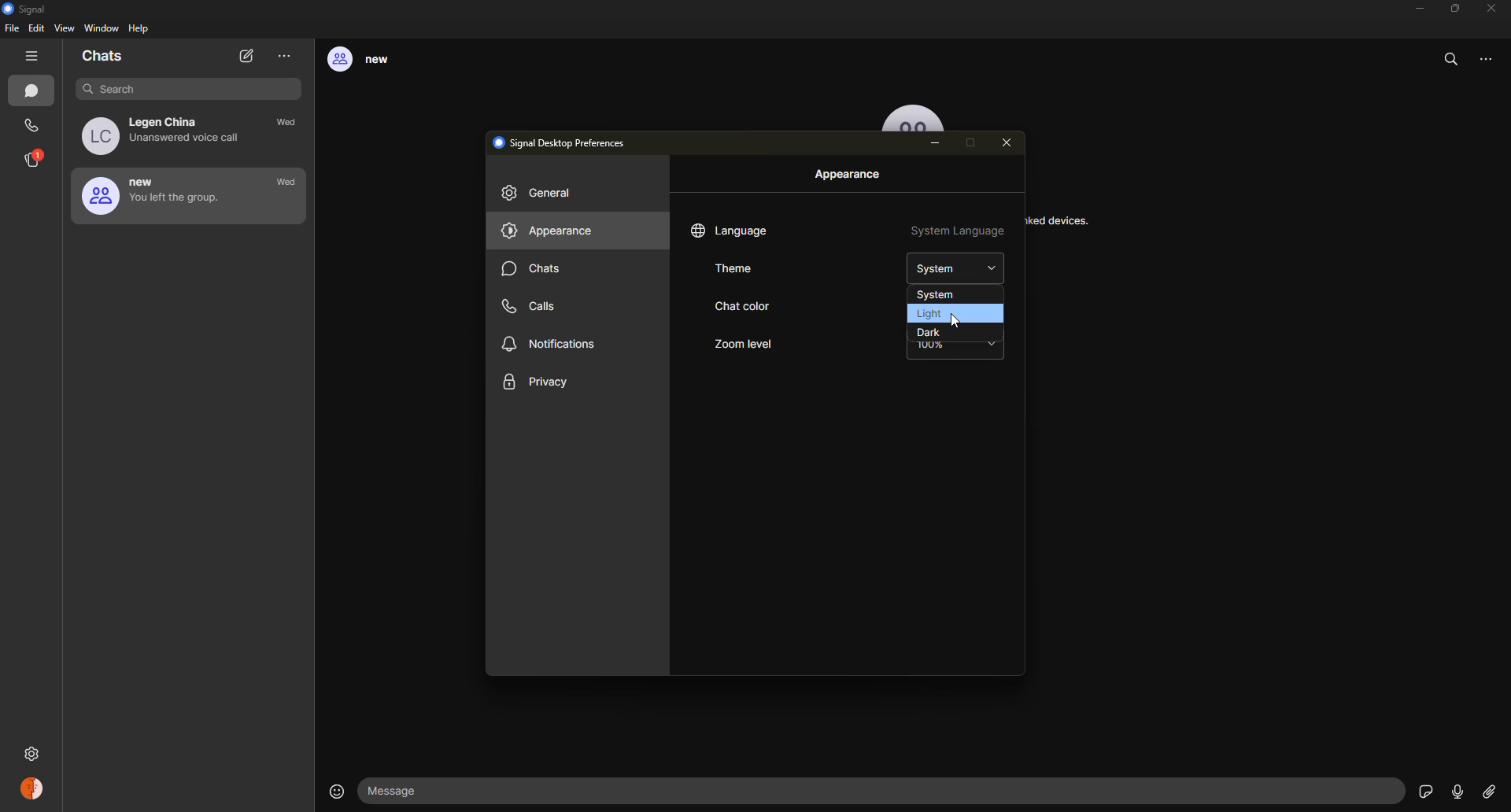 The width and height of the screenshot is (1511, 812). Describe the element at coordinates (551, 345) in the screenshot. I see `notifications` at that location.